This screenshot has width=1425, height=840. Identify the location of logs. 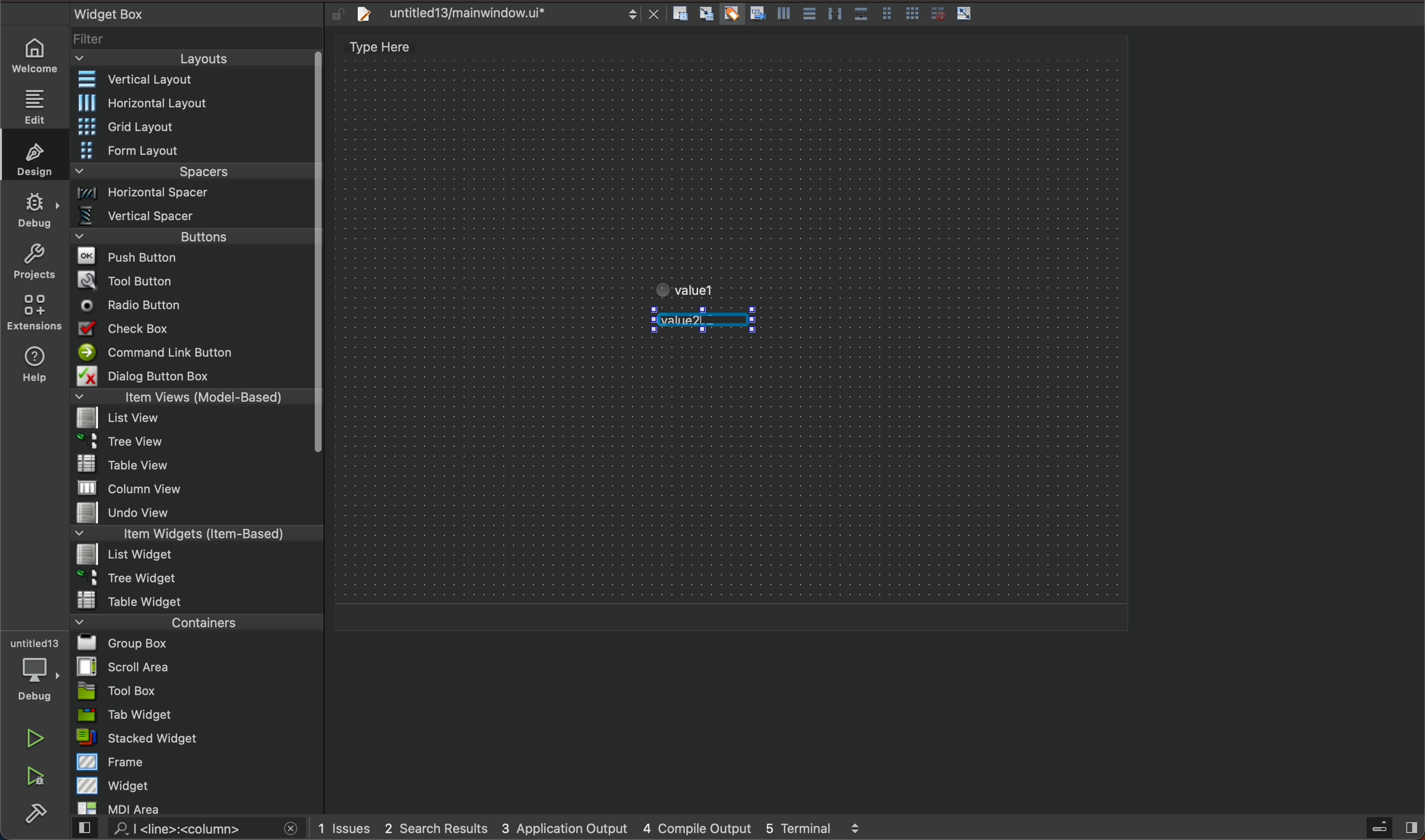
(606, 828).